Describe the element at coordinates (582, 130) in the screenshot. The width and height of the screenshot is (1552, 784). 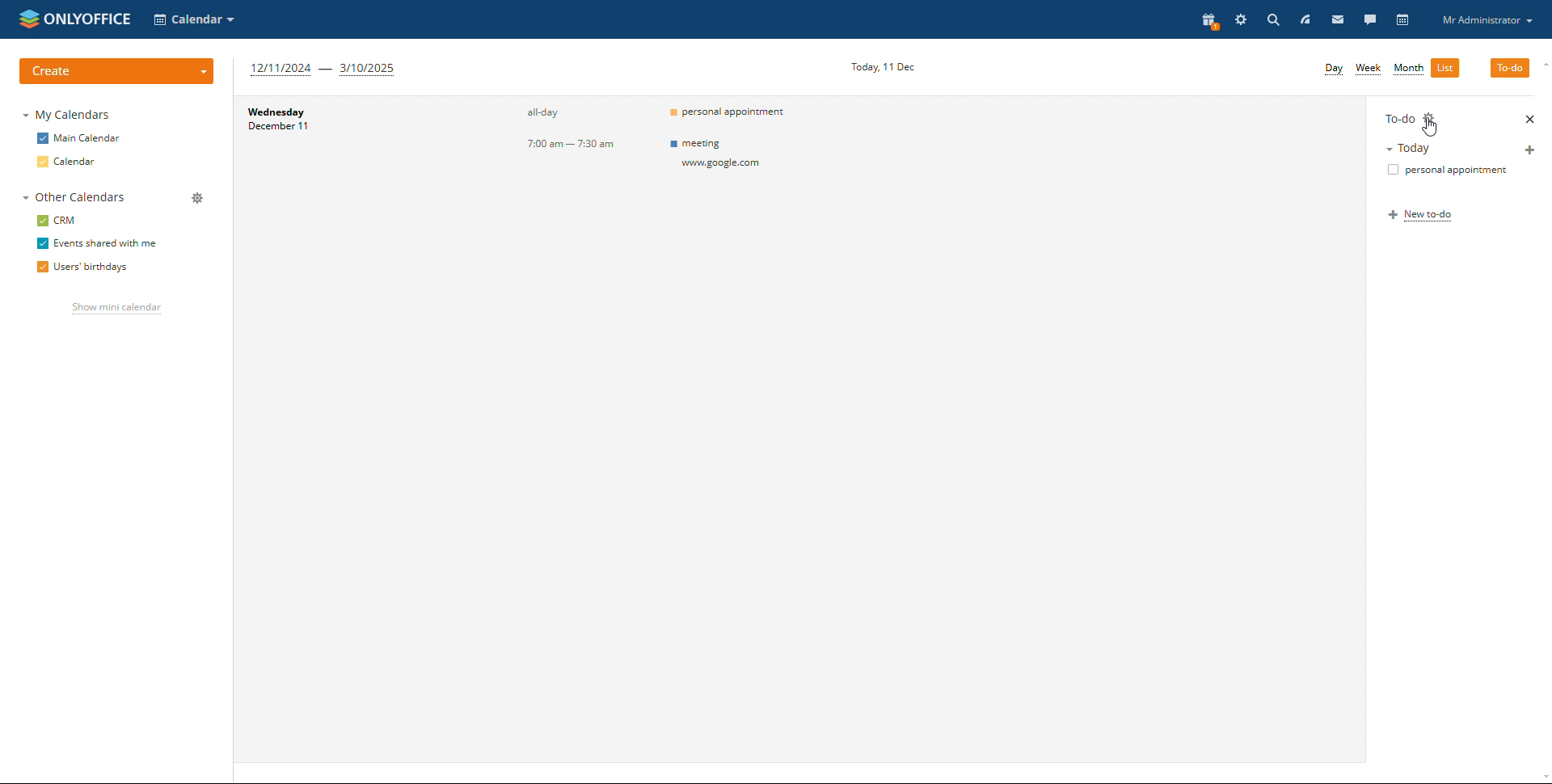
I see `event timings` at that location.